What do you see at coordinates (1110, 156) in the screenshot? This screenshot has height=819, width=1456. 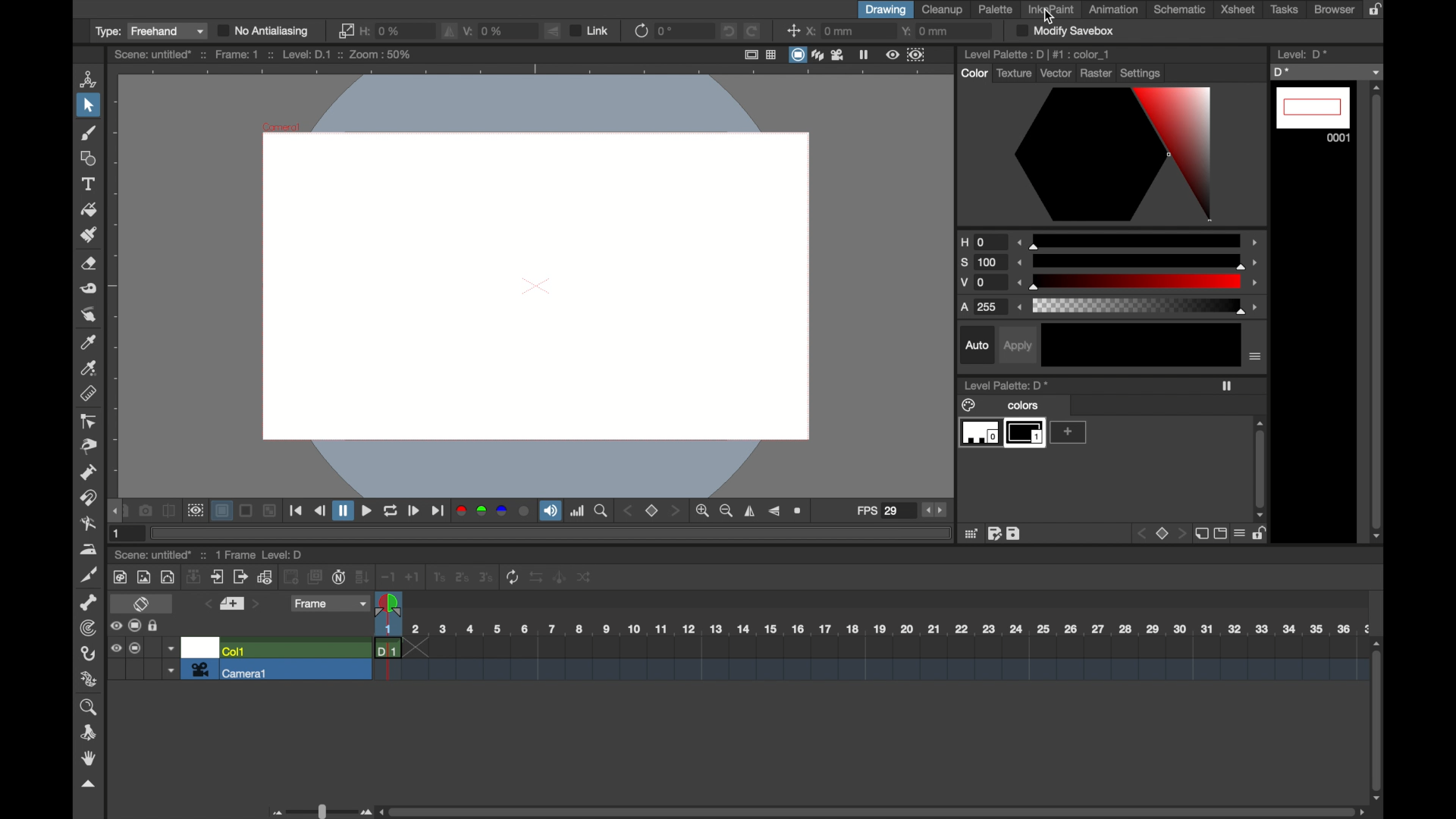 I see `color wheel` at bounding box center [1110, 156].